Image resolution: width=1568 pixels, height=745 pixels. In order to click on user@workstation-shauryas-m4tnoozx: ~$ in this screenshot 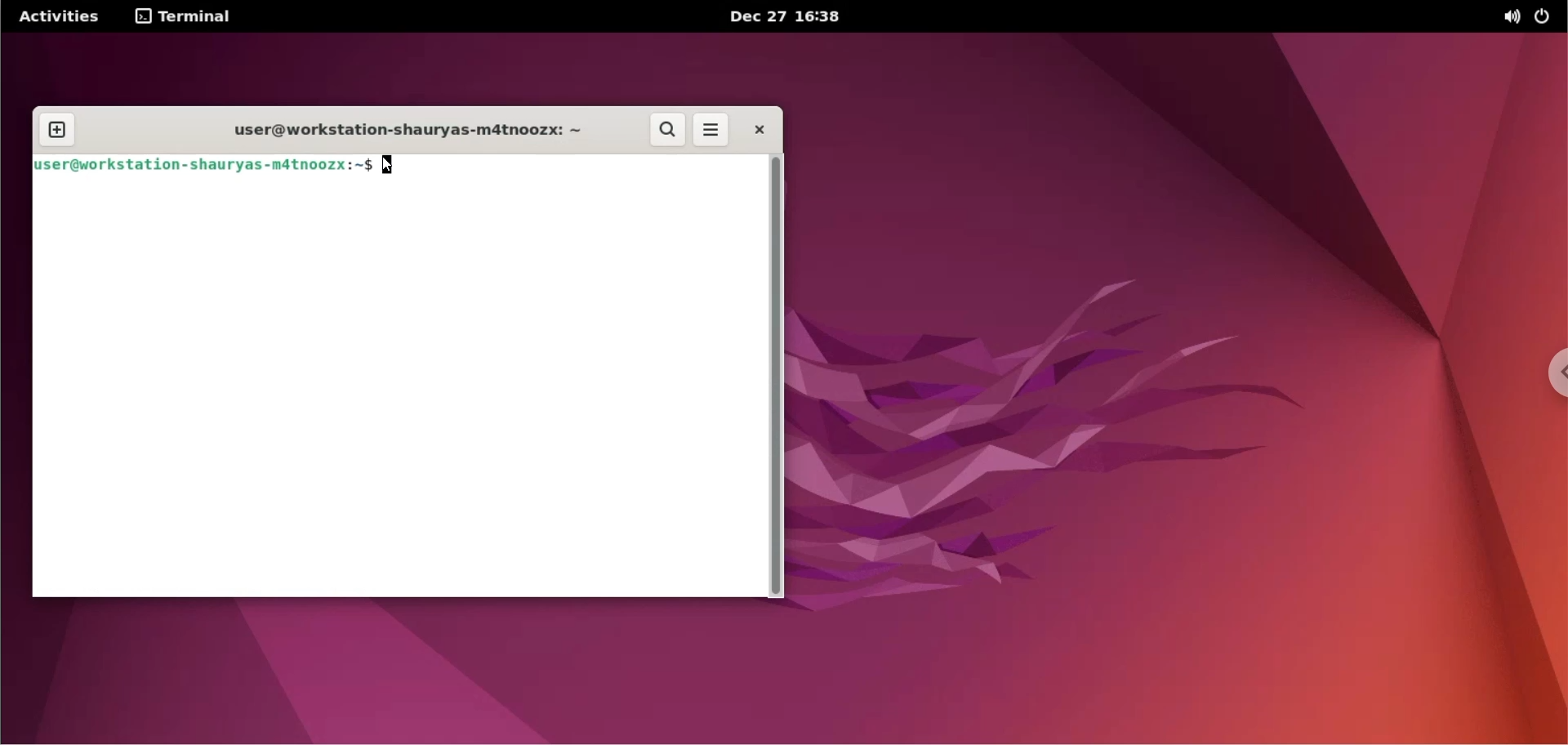, I will do `click(399, 133)`.